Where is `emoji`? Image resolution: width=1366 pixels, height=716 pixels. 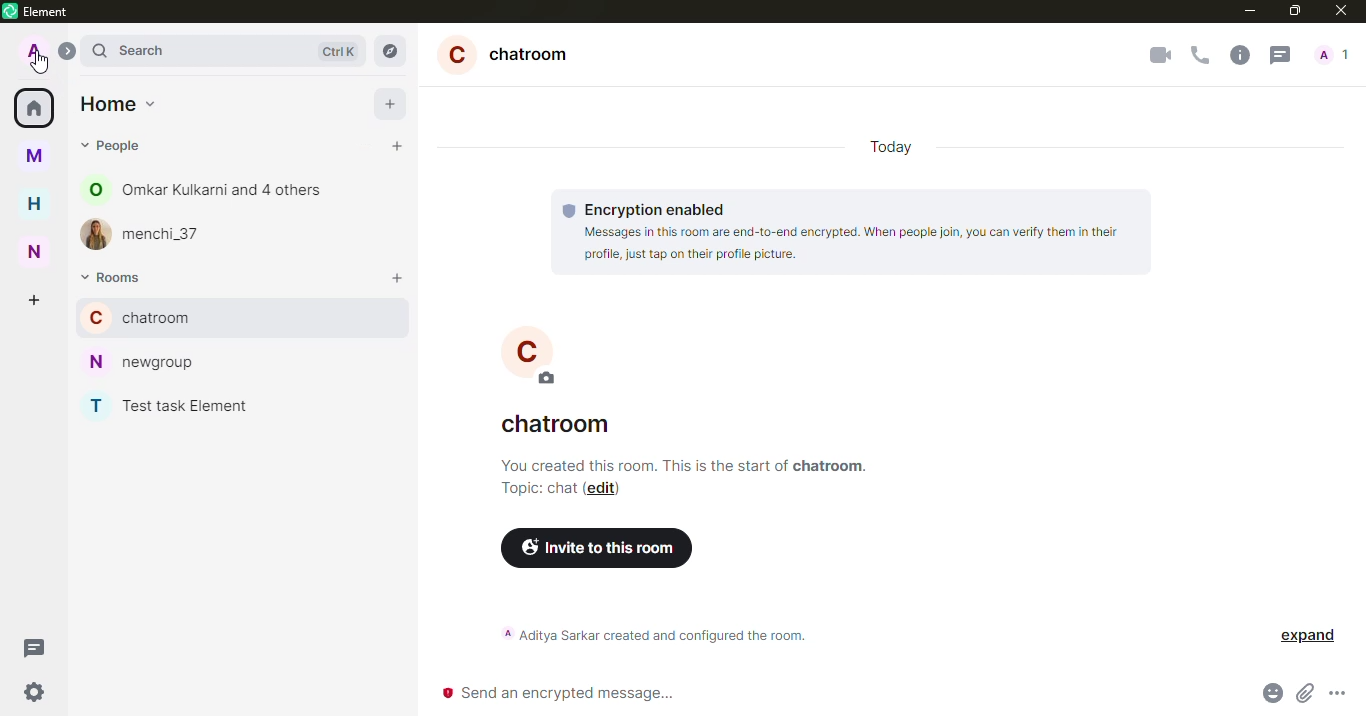
emoji is located at coordinates (1268, 695).